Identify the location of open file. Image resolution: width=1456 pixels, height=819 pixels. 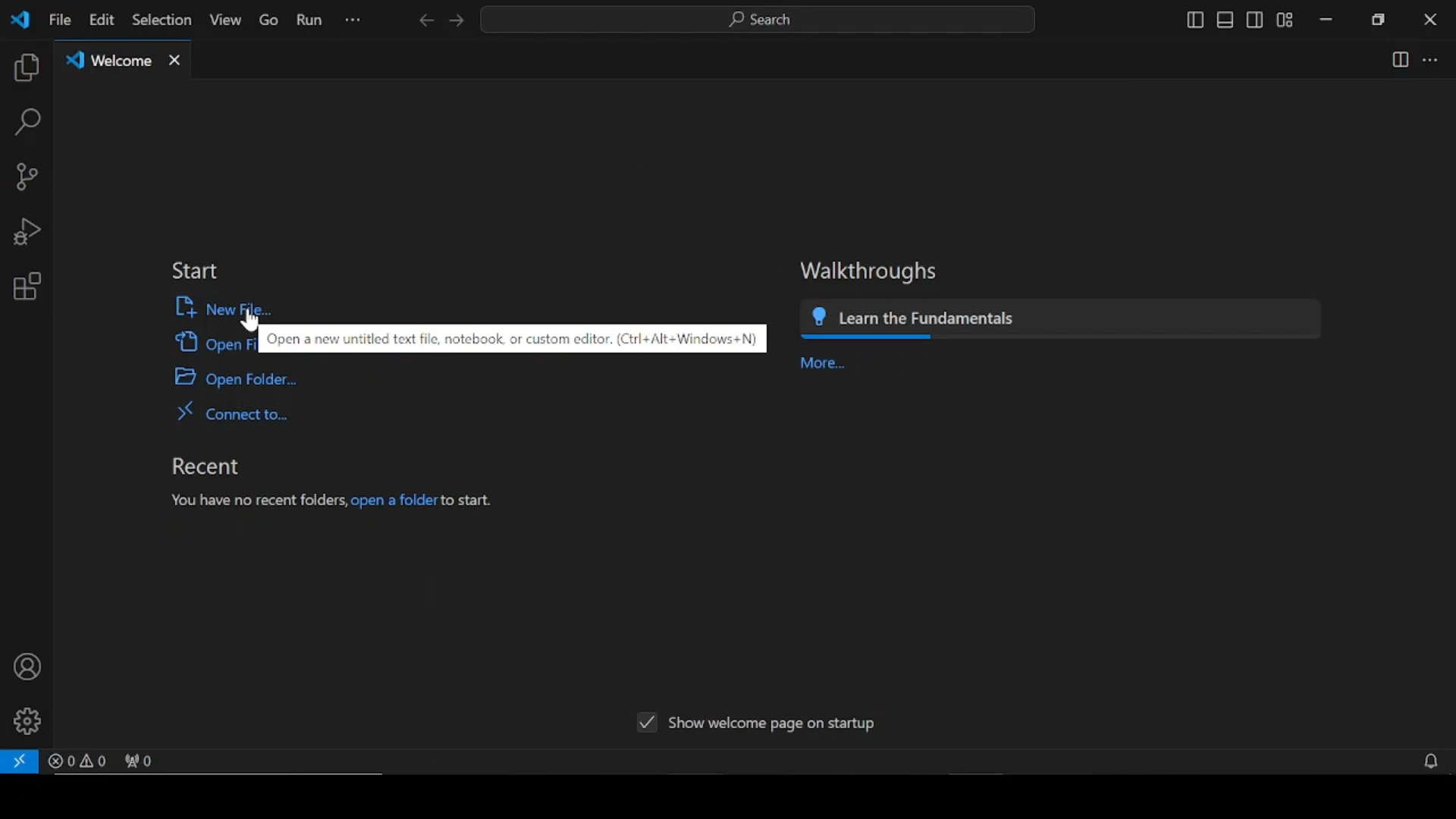
(213, 343).